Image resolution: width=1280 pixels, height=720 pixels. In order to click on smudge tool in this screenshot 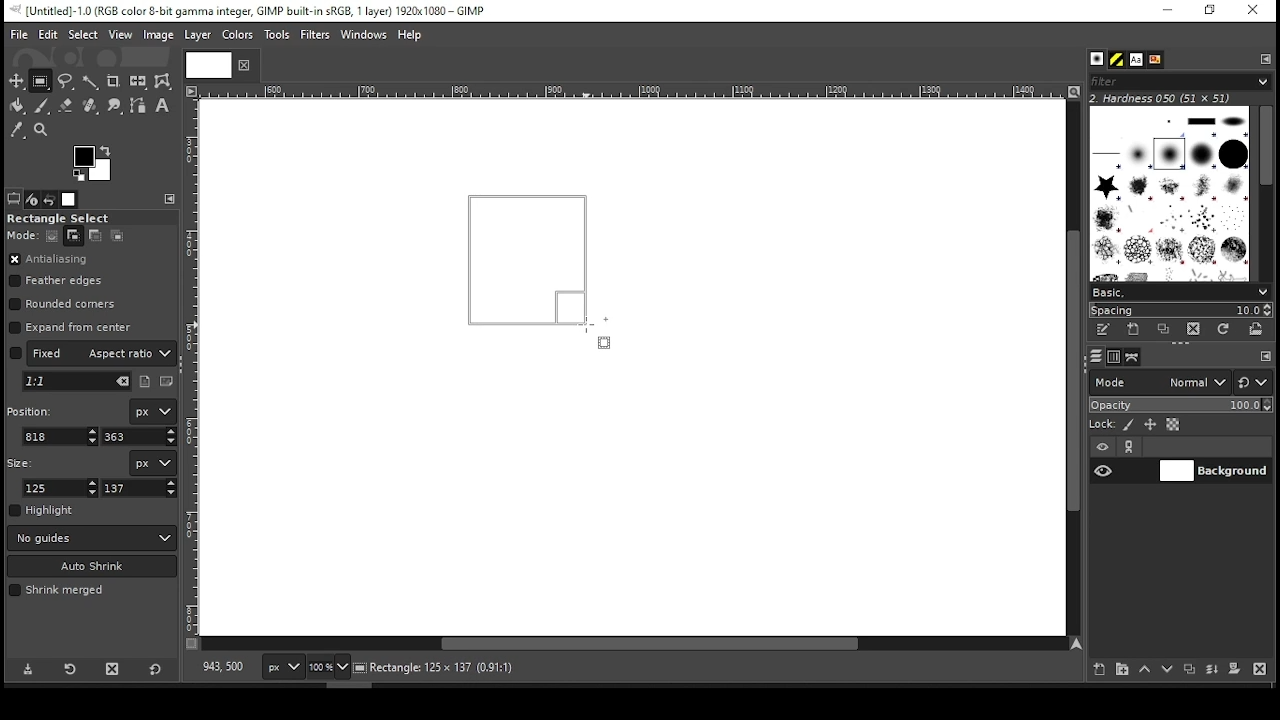, I will do `click(116, 106)`.